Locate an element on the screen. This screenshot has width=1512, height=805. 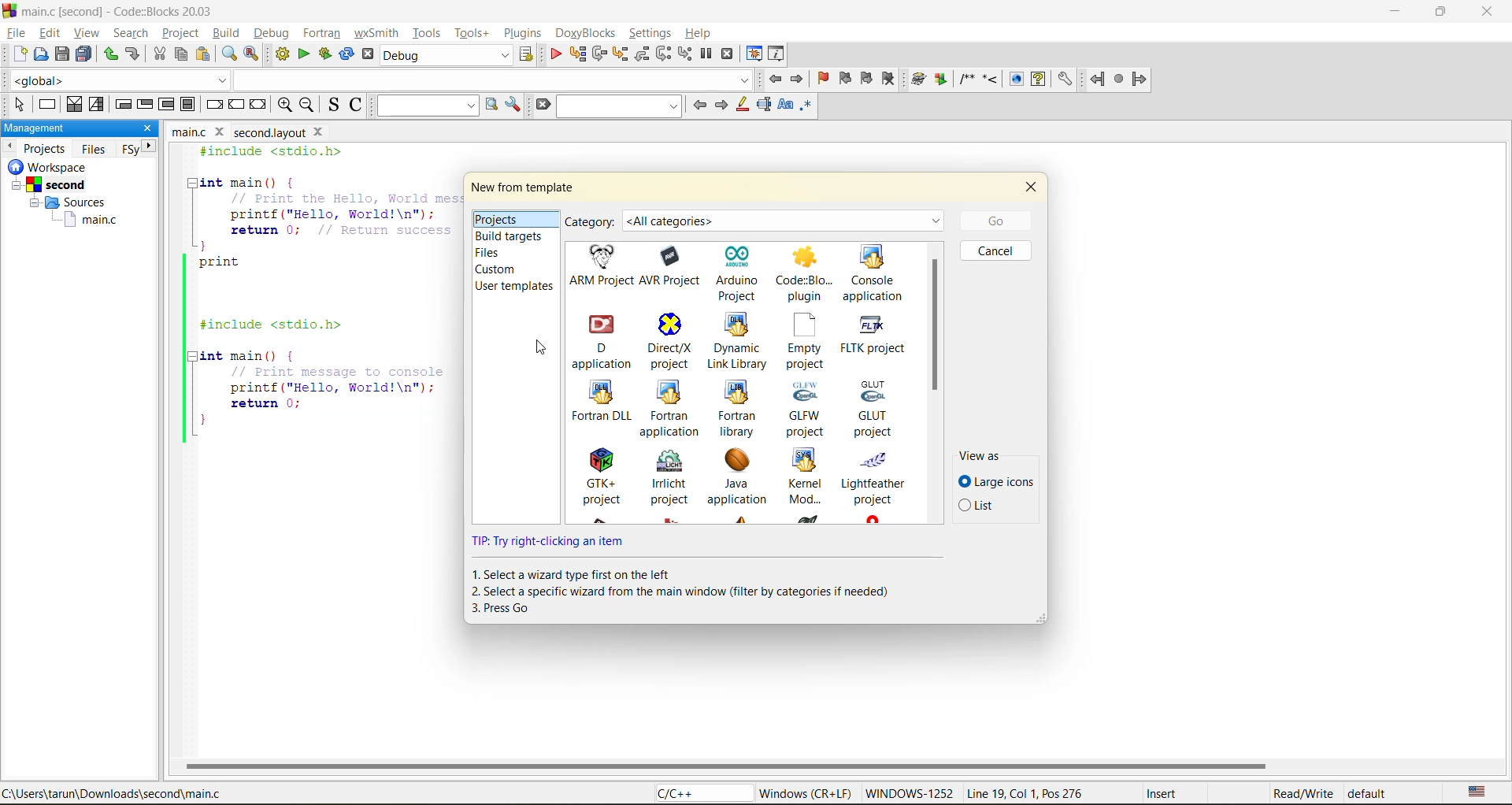
clear is located at coordinates (544, 106).